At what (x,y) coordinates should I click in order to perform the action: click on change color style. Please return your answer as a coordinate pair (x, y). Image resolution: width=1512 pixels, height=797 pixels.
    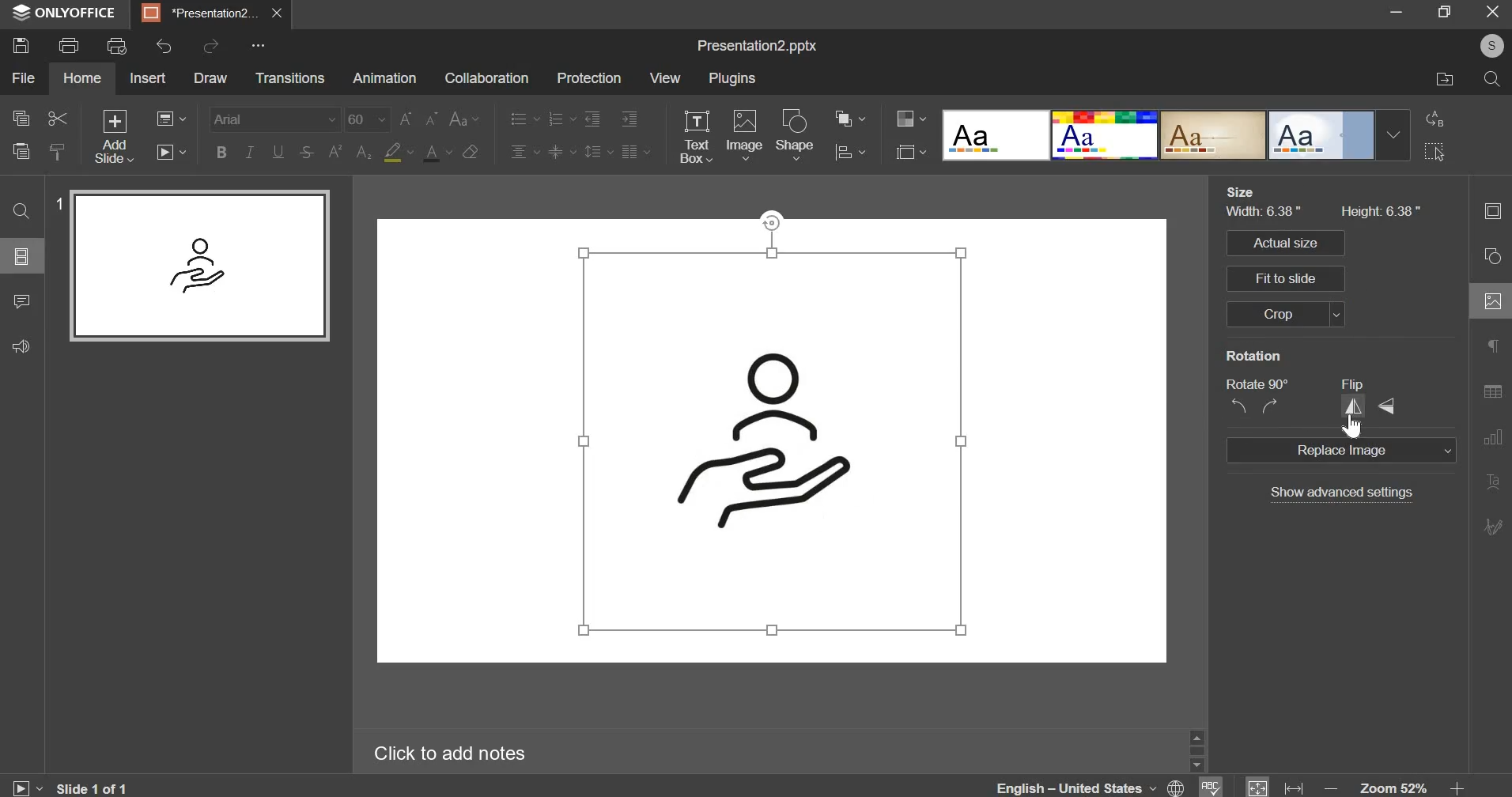
    Looking at the image, I should click on (911, 119).